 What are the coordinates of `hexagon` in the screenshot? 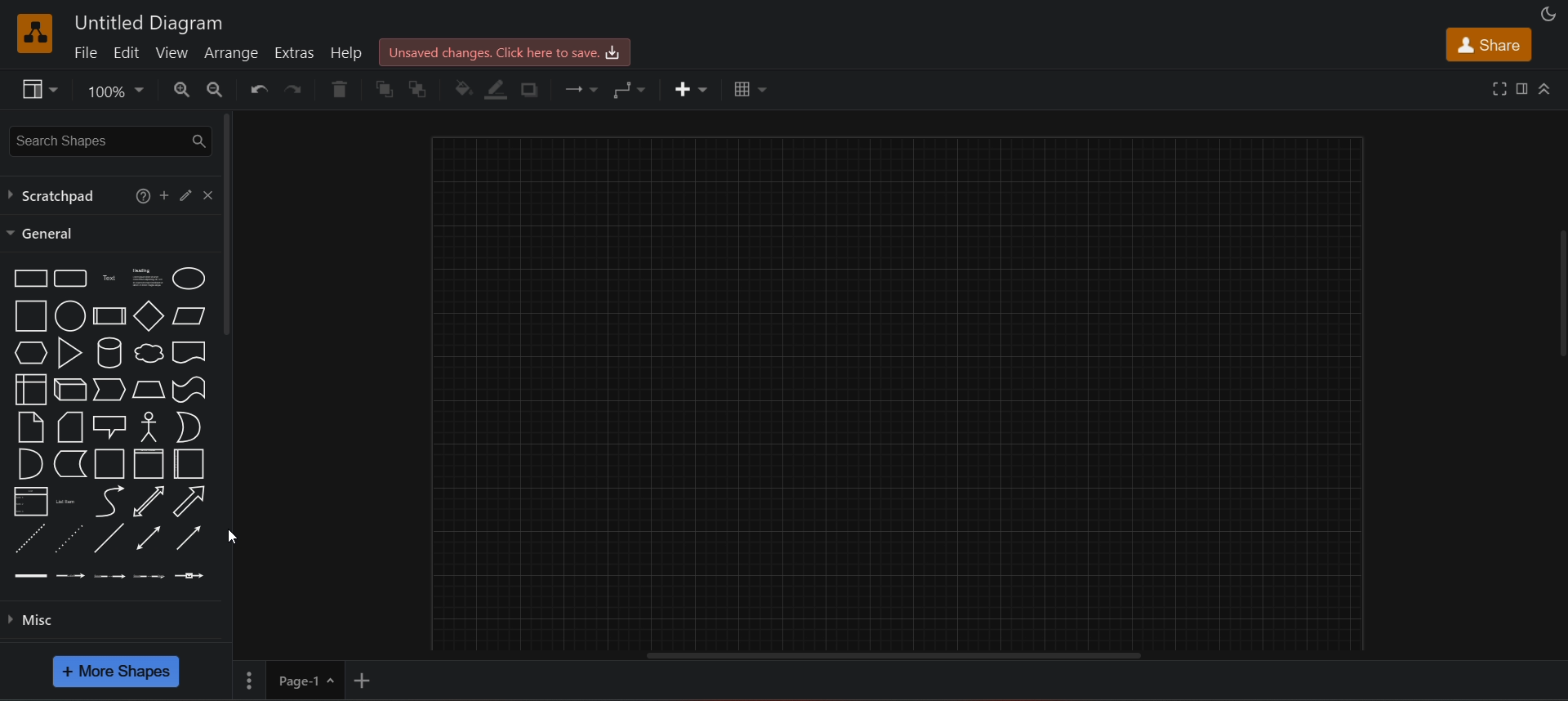 It's located at (31, 352).